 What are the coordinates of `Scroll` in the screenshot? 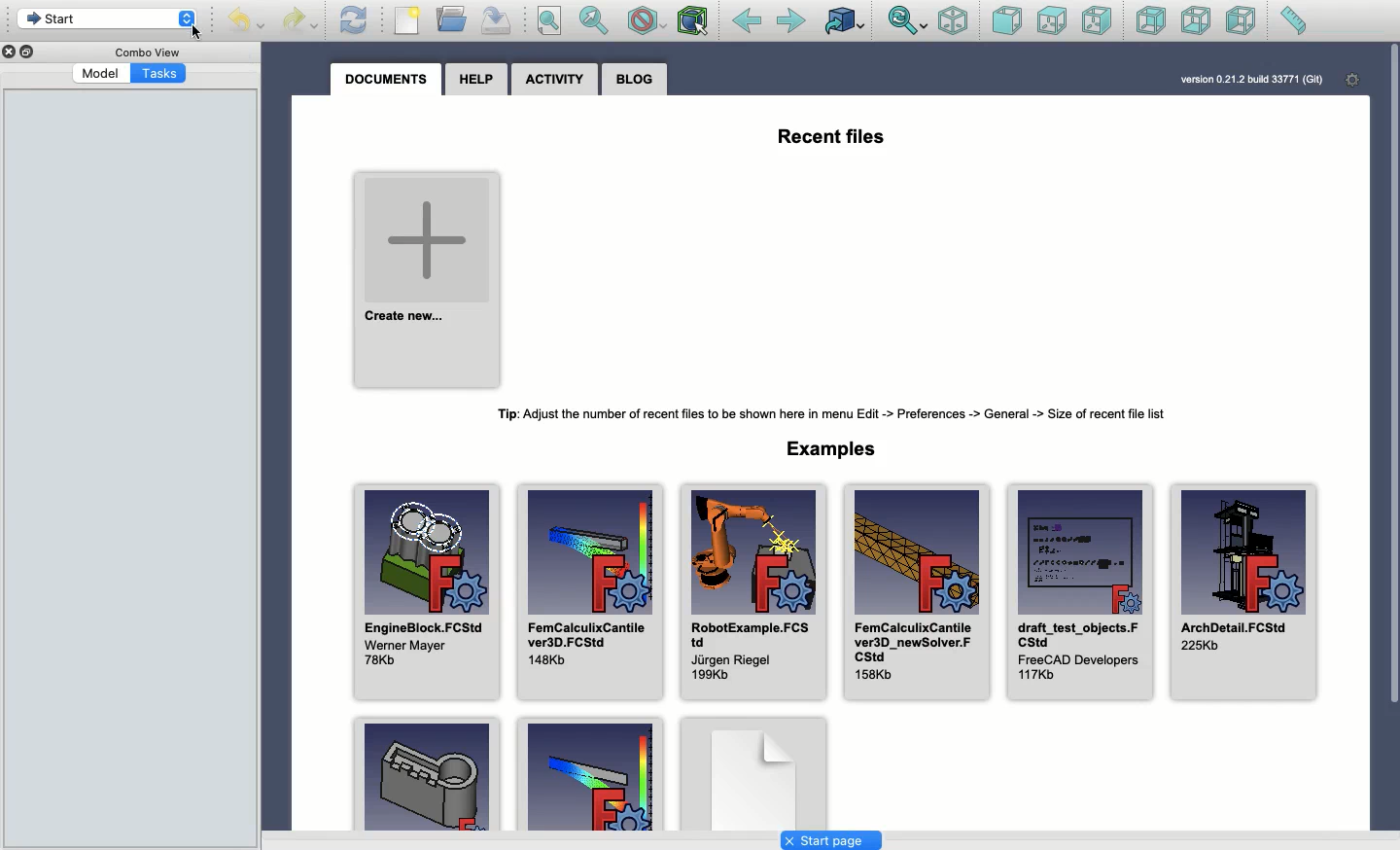 It's located at (1391, 437).